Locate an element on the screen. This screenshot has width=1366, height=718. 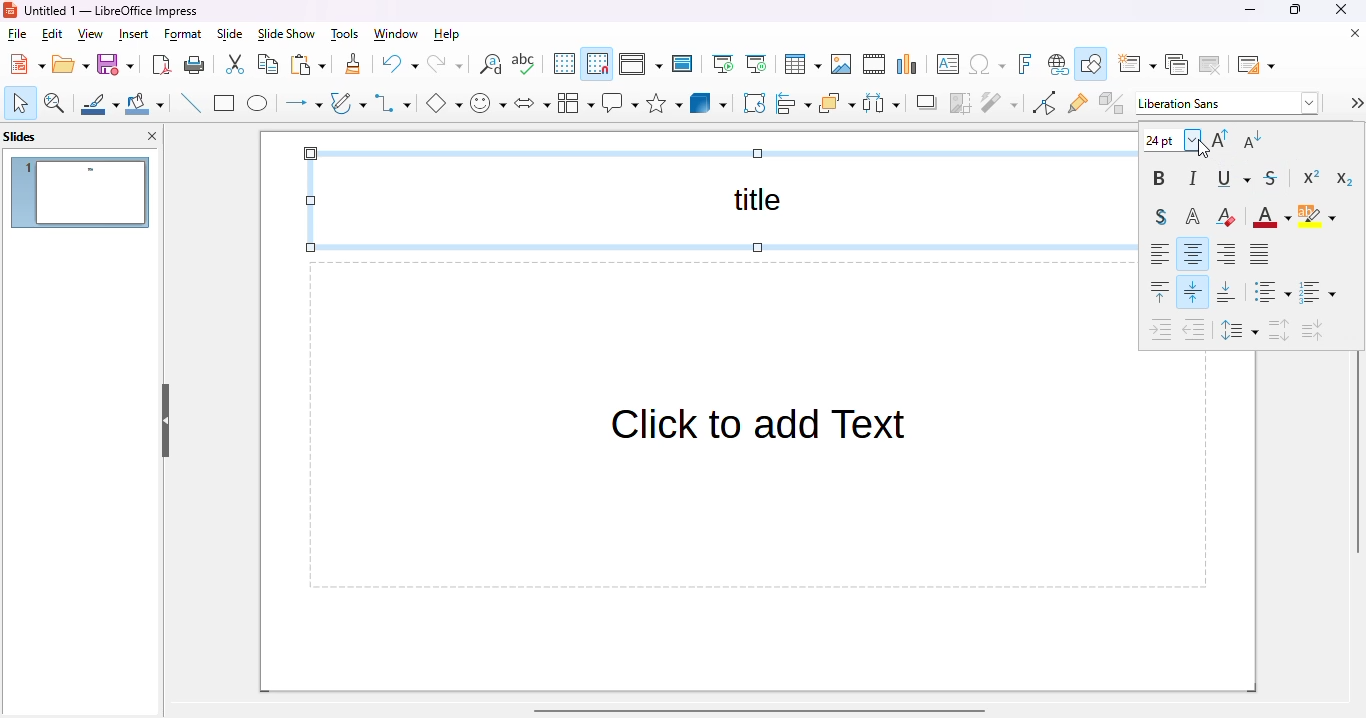
insert chart is located at coordinates (908, 65).